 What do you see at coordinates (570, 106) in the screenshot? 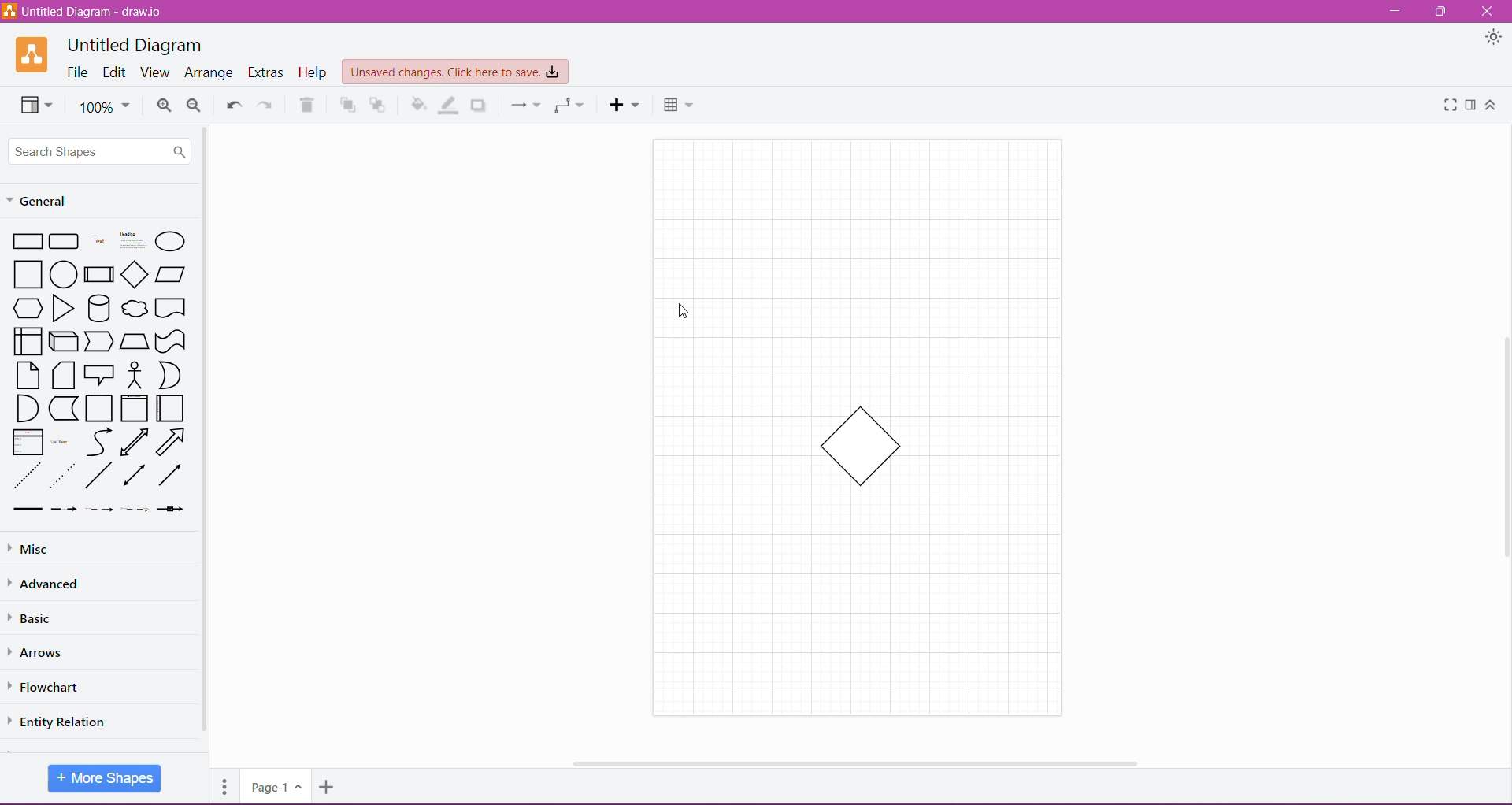
I see `Waypoints` at bounding box center [570, 106].